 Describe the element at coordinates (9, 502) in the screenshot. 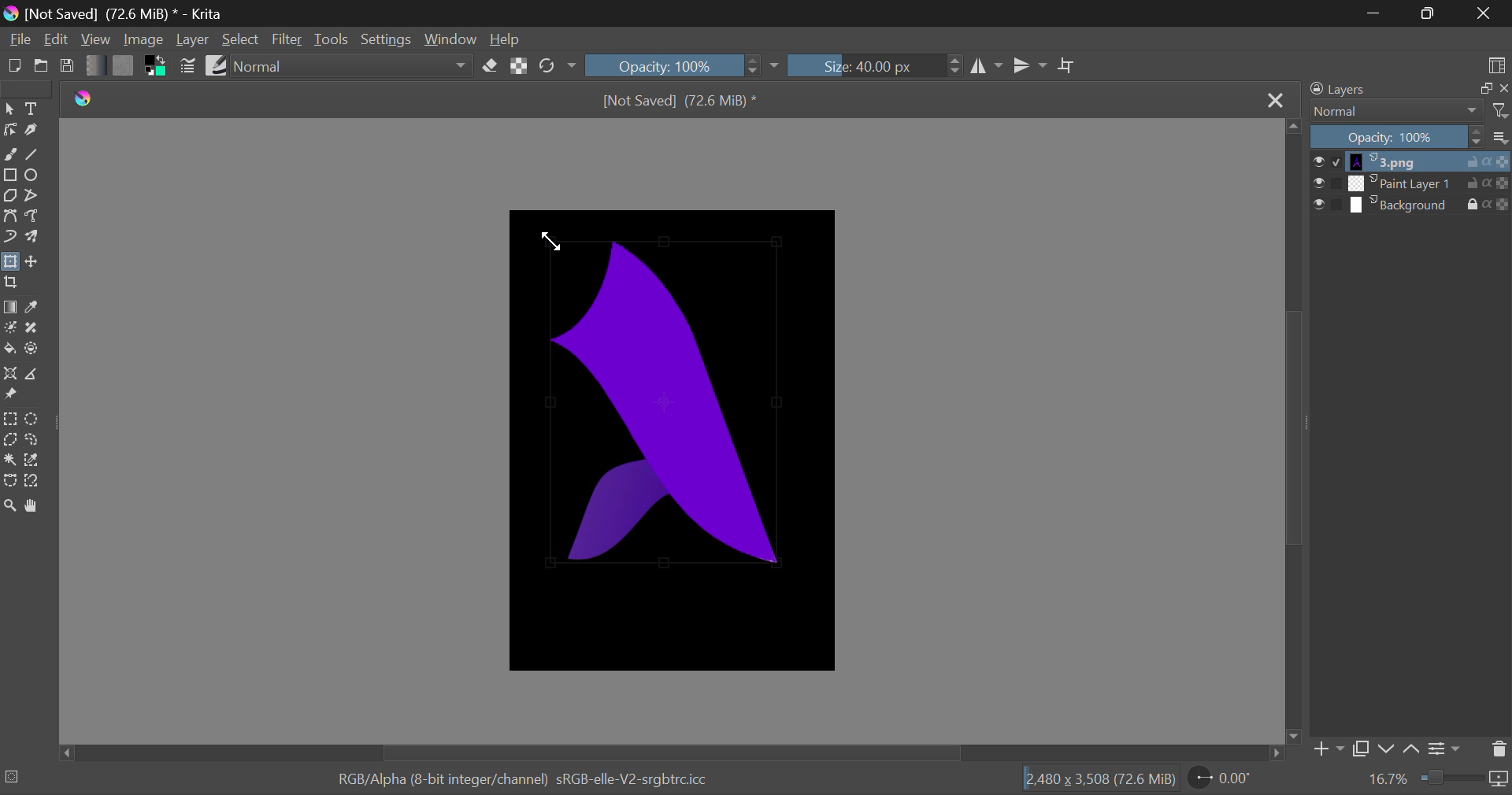

I see `Zoom` at that location.